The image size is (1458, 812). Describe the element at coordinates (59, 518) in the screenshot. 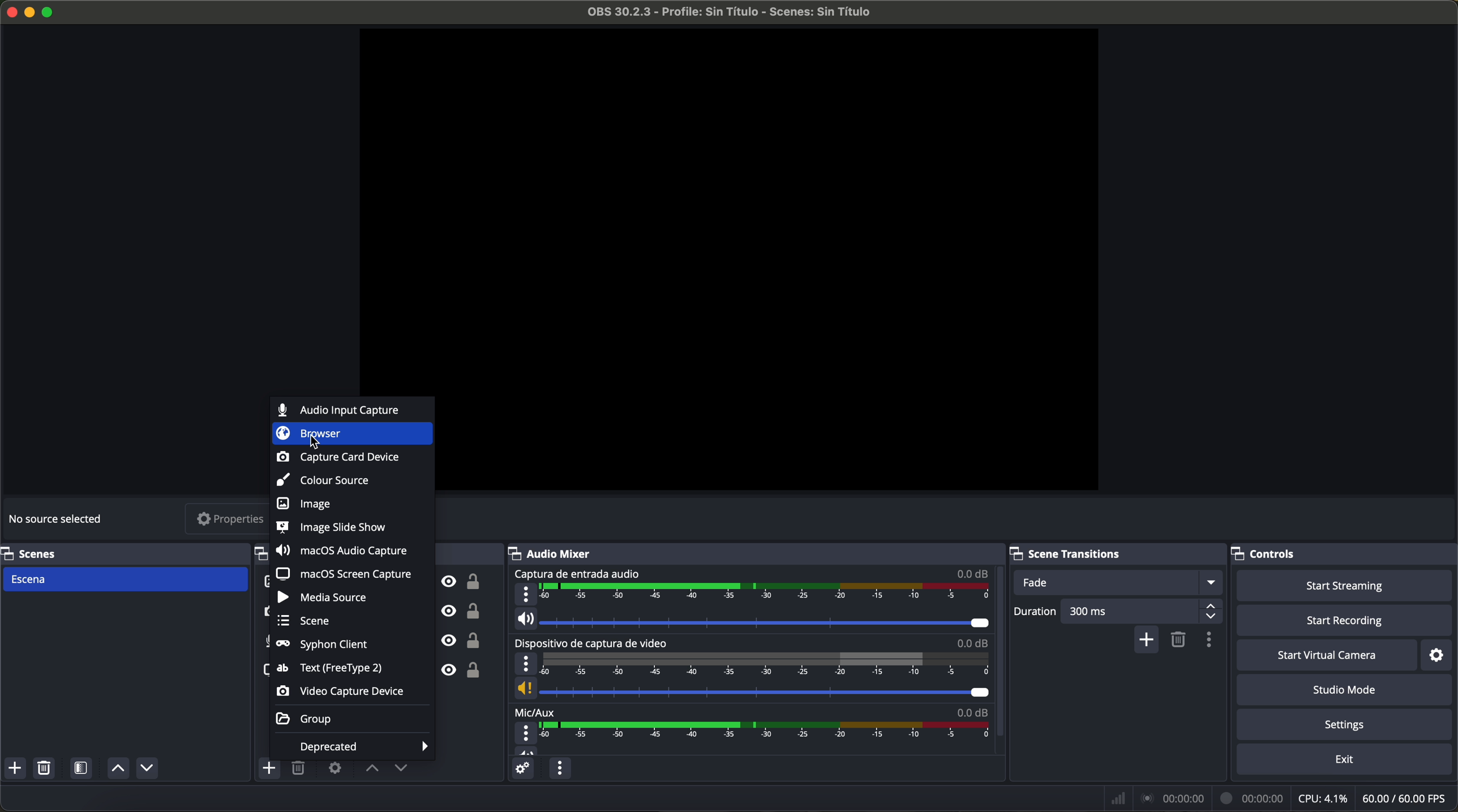

I see `no source selected` at that location.